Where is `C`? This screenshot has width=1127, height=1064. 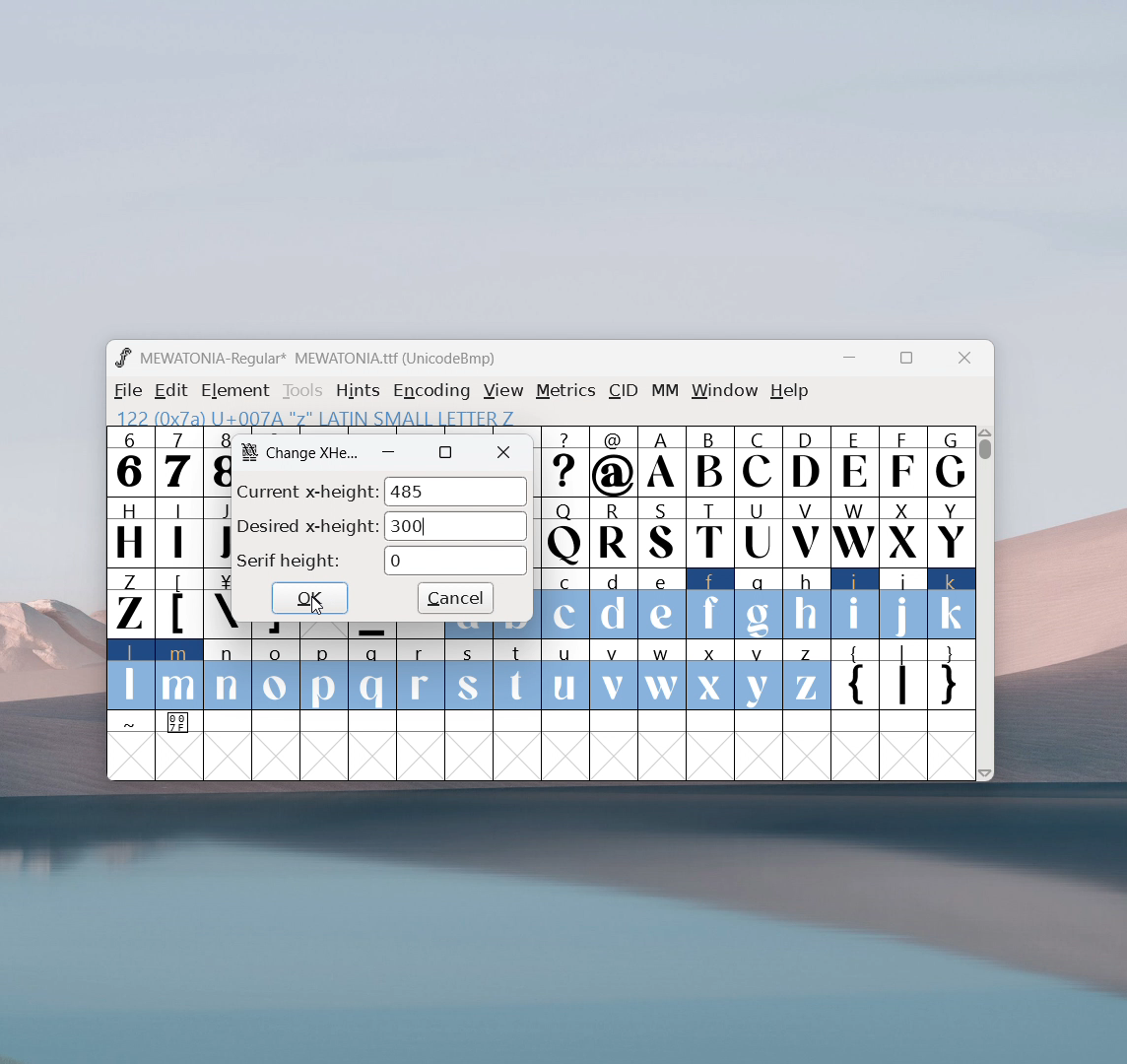 C is located at coordinates (757, 461).